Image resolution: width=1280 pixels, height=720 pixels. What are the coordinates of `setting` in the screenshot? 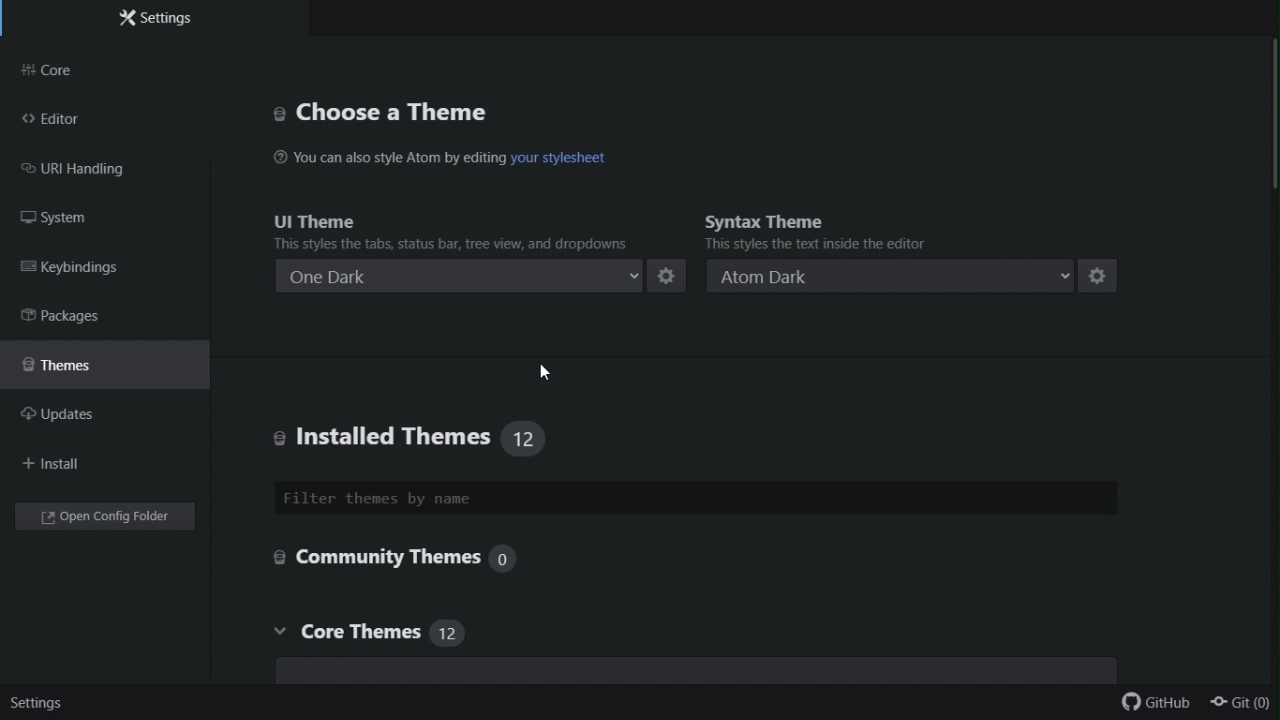 It's located at (40, 701).